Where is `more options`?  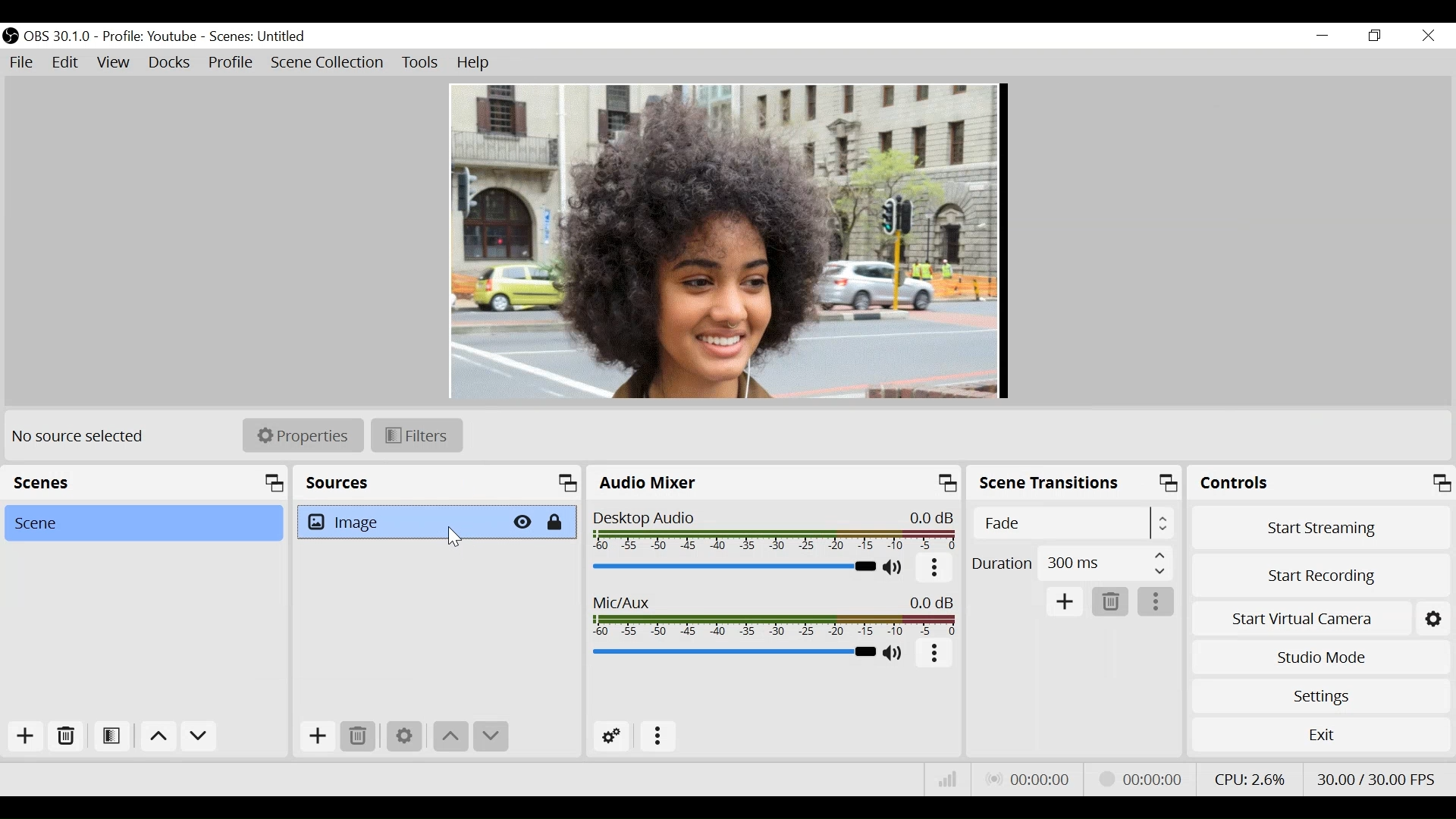
more options is located at coordinates (658, 736).